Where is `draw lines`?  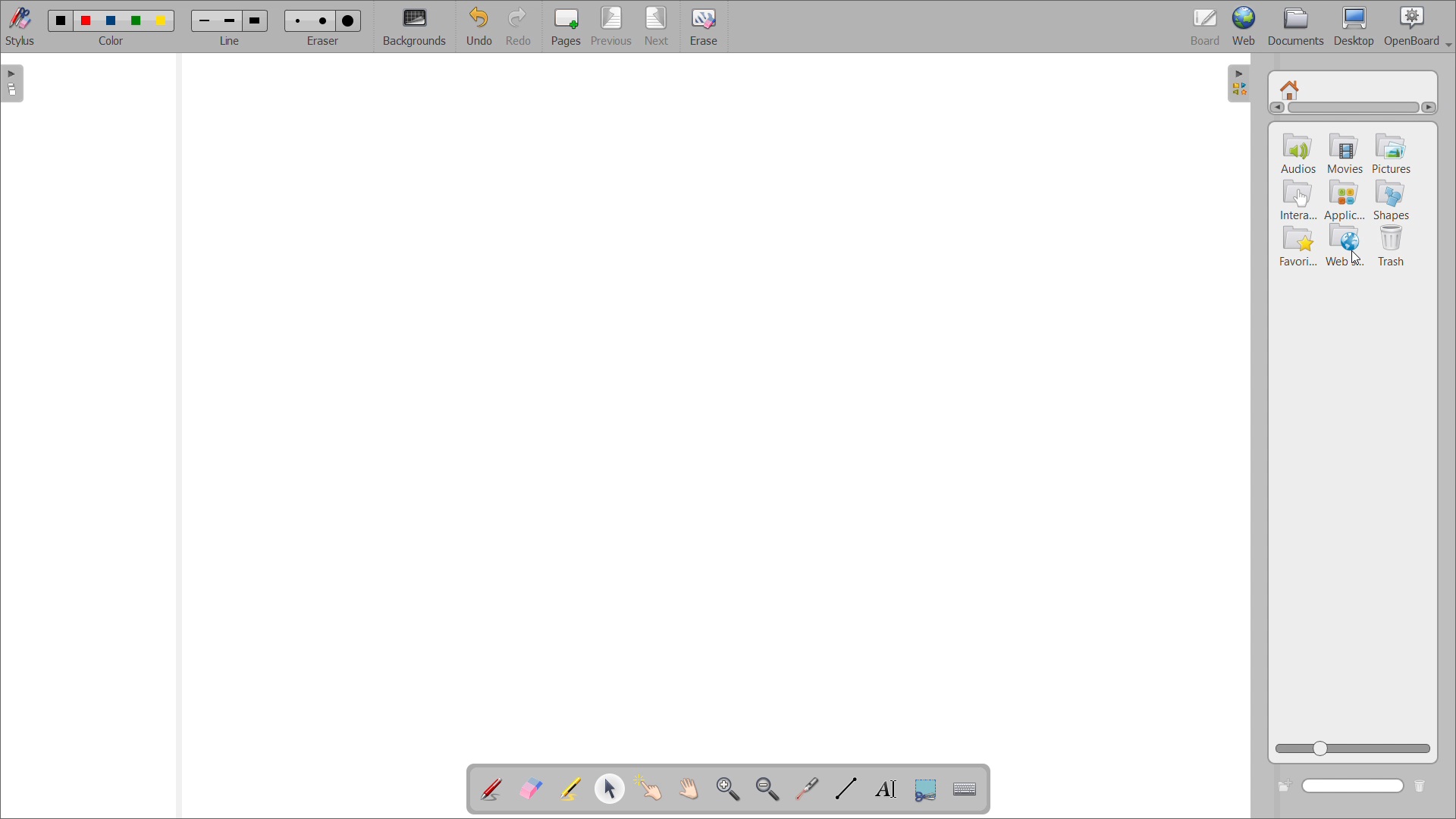
draw lines is located at coordinates (846, 789).